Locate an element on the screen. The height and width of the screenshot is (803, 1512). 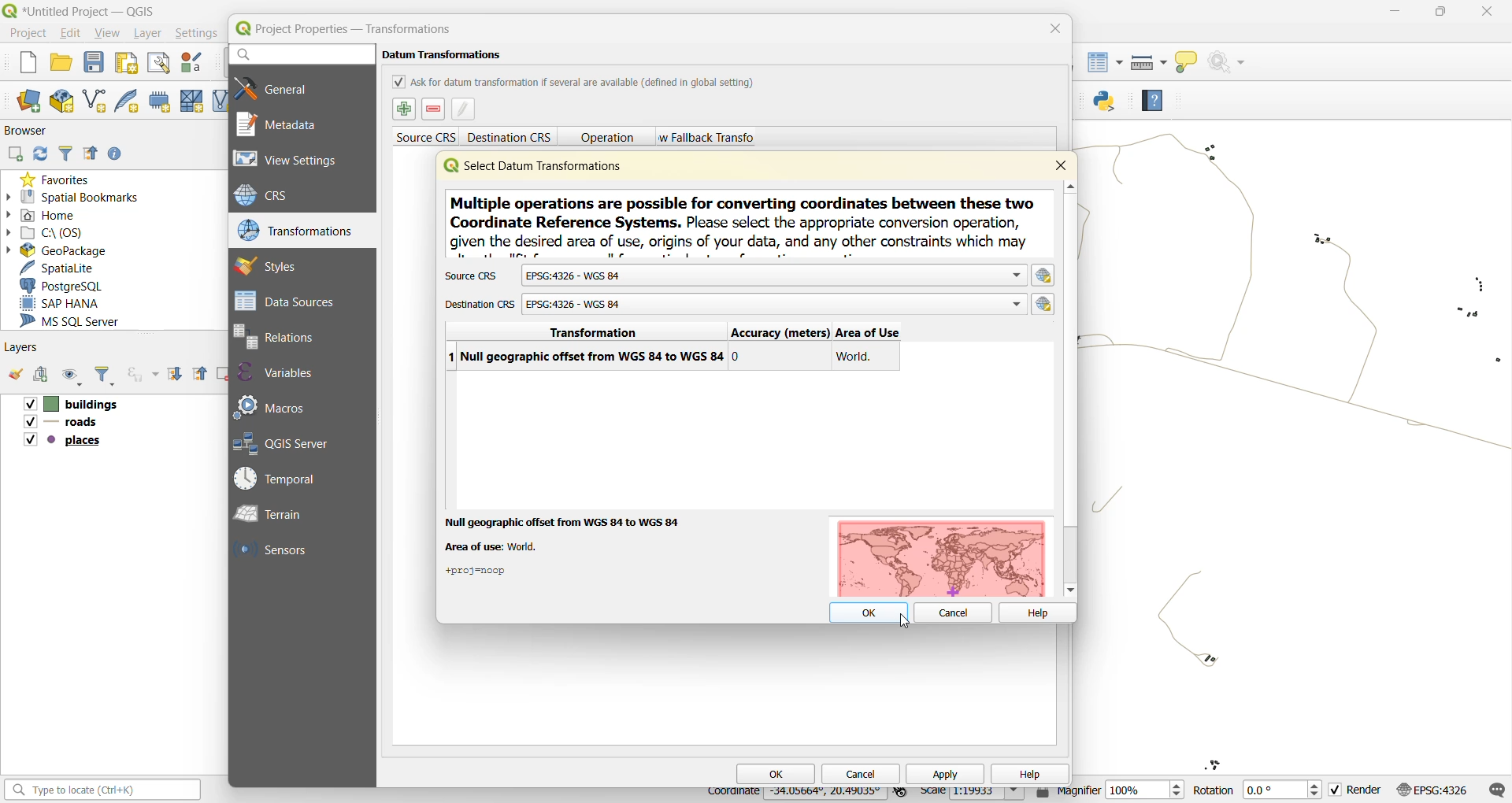
no action is located at coordinates (1232, 62).